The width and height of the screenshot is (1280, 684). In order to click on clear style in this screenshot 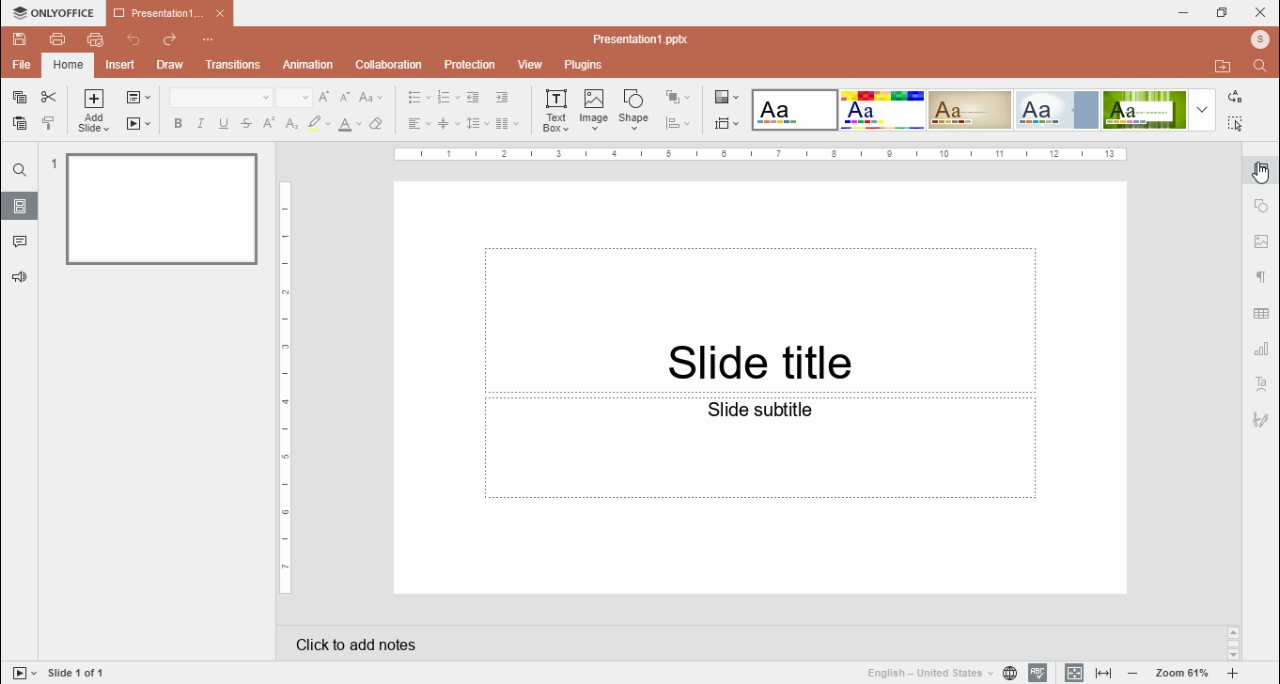, I will do `click(376, 124)`.